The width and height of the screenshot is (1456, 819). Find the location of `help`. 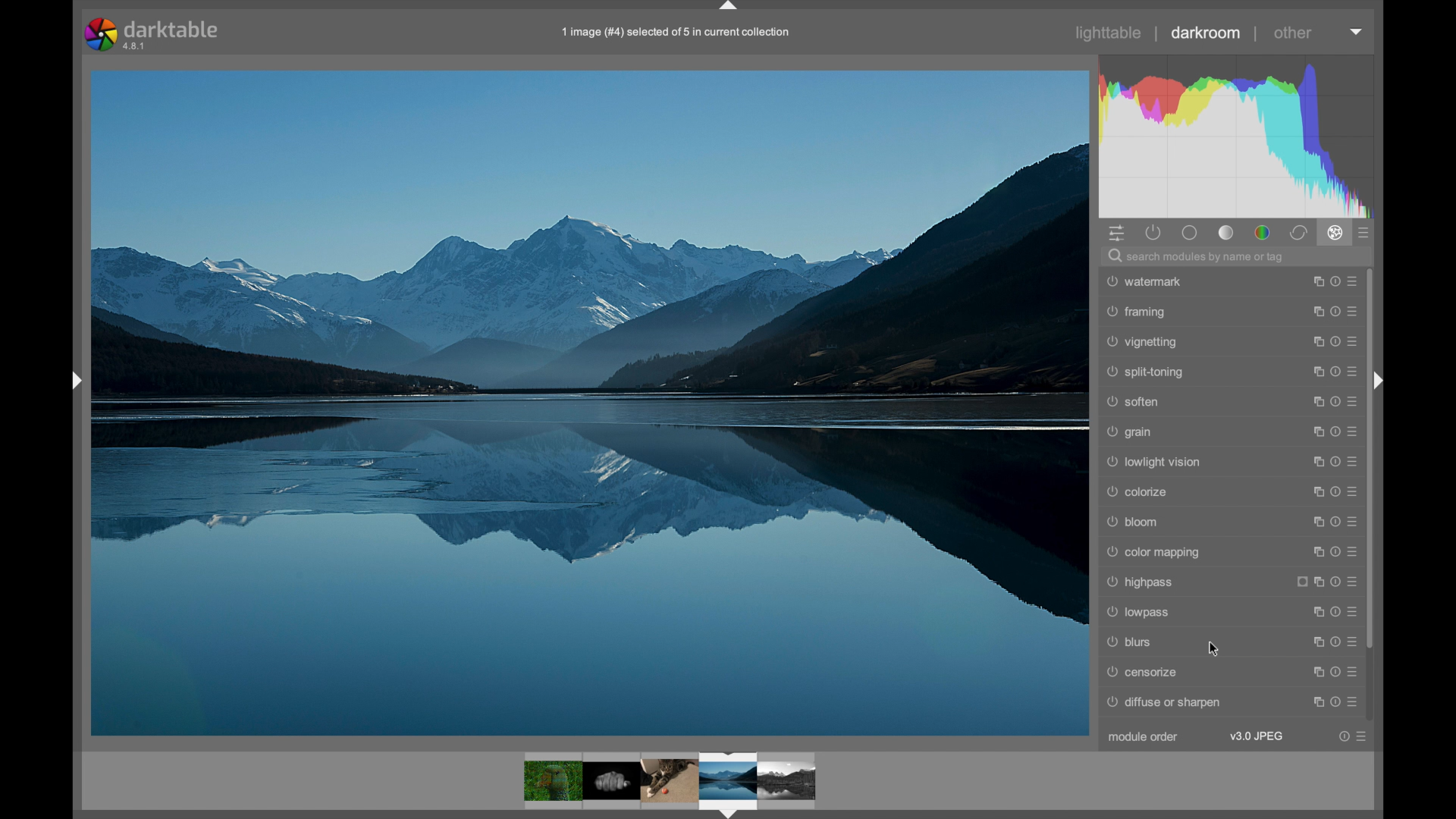

help is located at coordinates (1334, 312).